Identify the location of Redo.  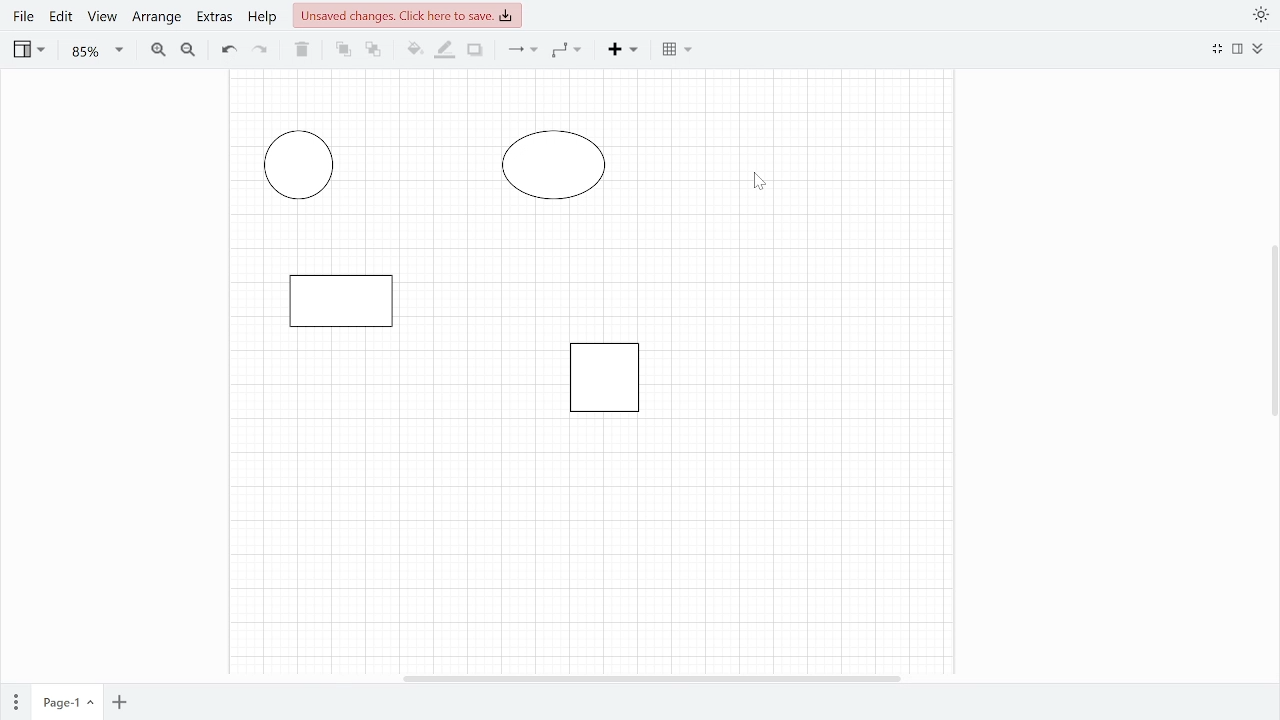
(262, 51).